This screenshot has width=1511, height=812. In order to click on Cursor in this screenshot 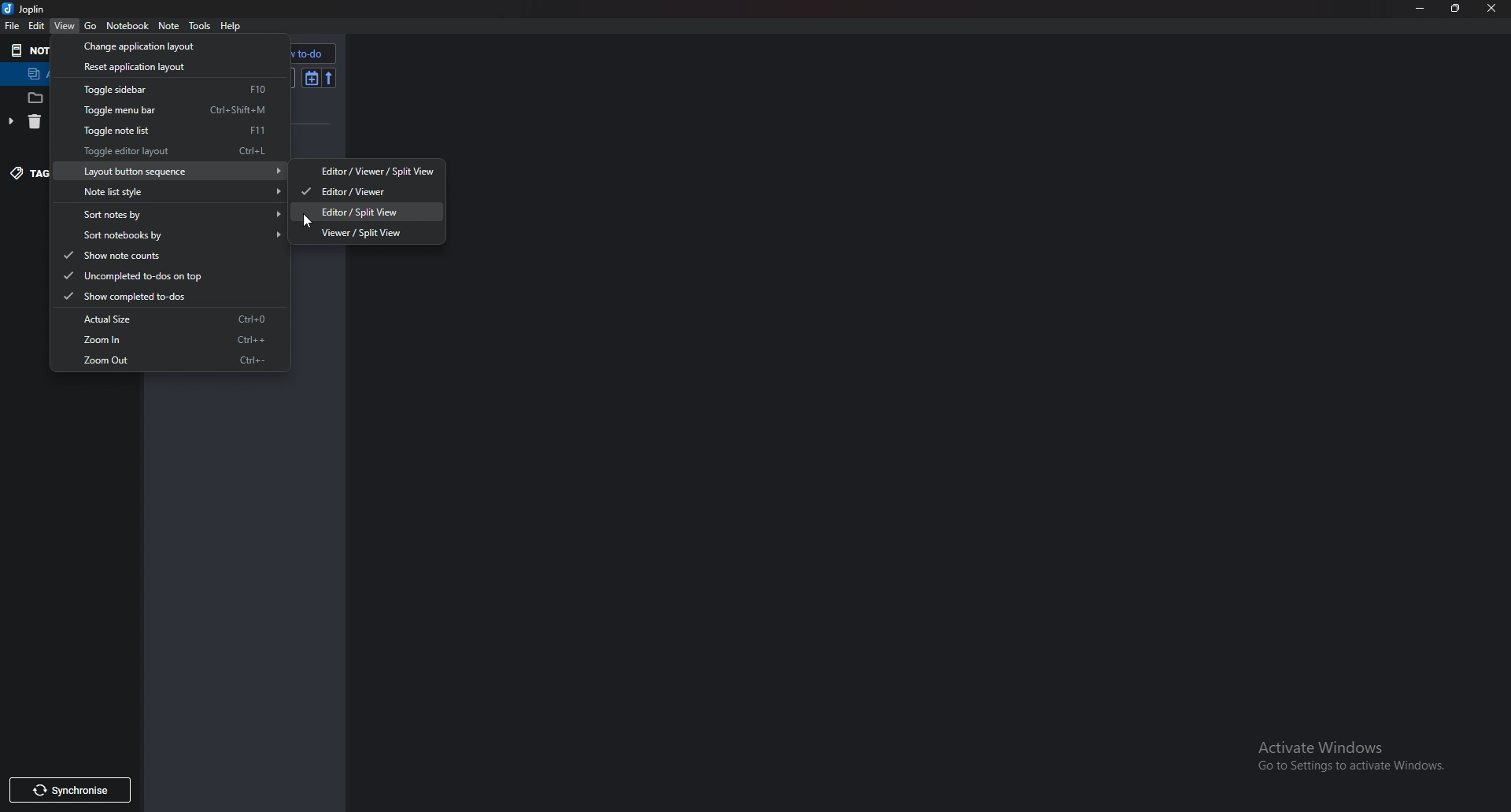, I will do `click(307, 221)`.